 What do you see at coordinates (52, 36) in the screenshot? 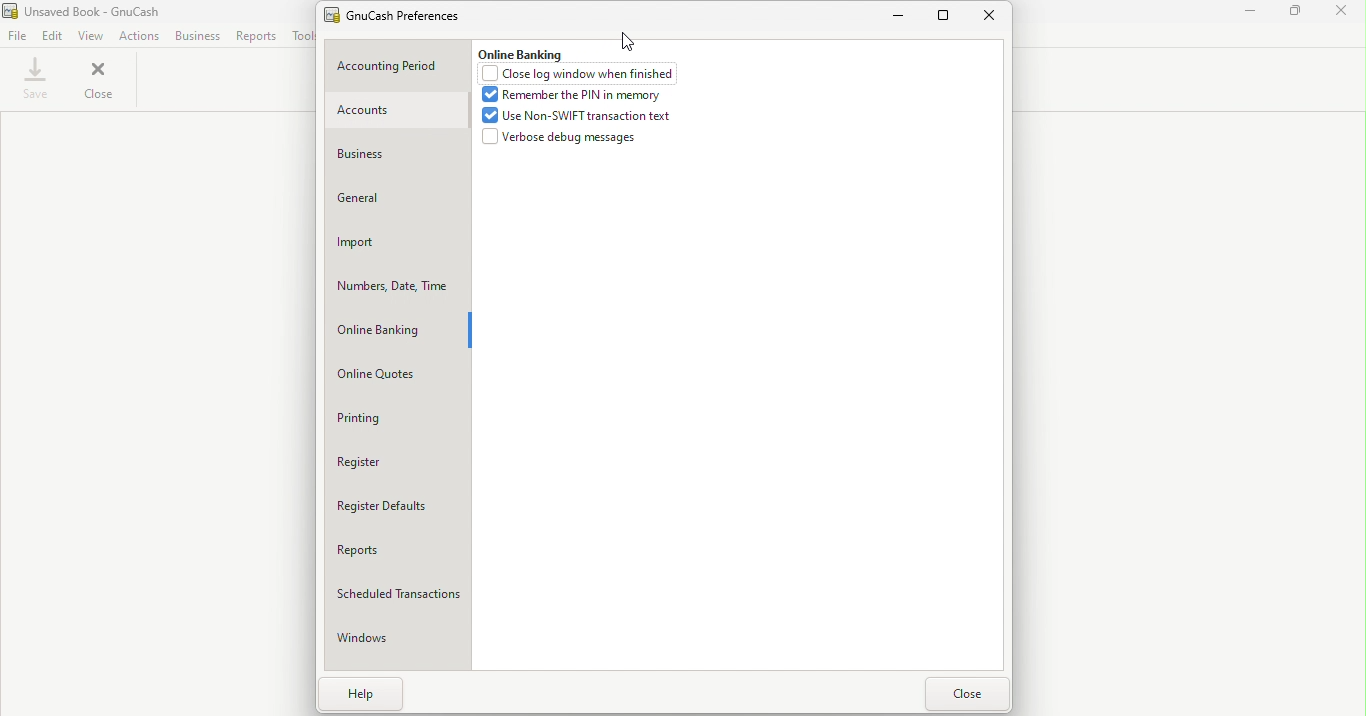
I see `Edit` at bounding box center [52, 36].